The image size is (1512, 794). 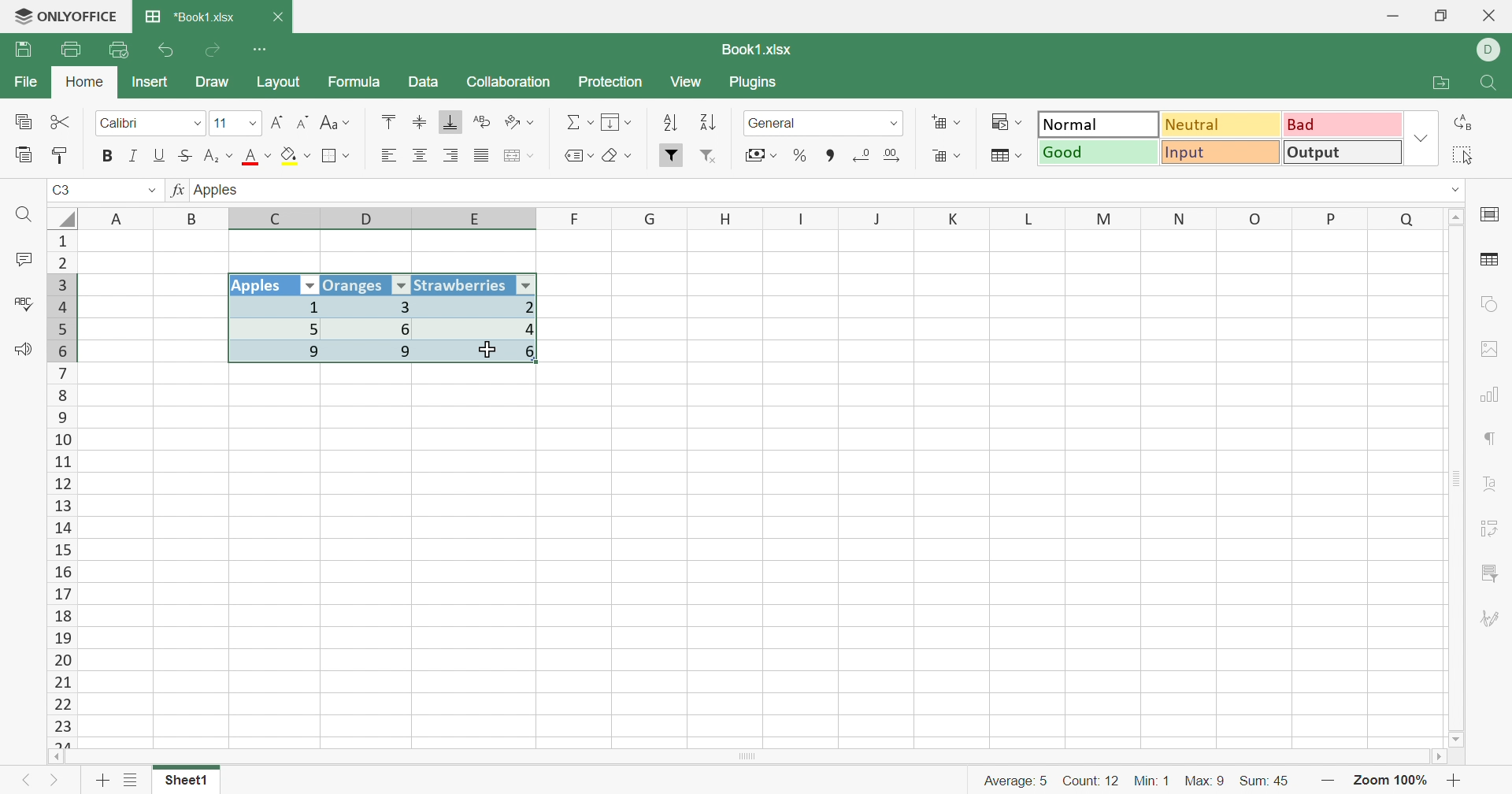 I want to click on cell settings, so click(x=1493, y=216).